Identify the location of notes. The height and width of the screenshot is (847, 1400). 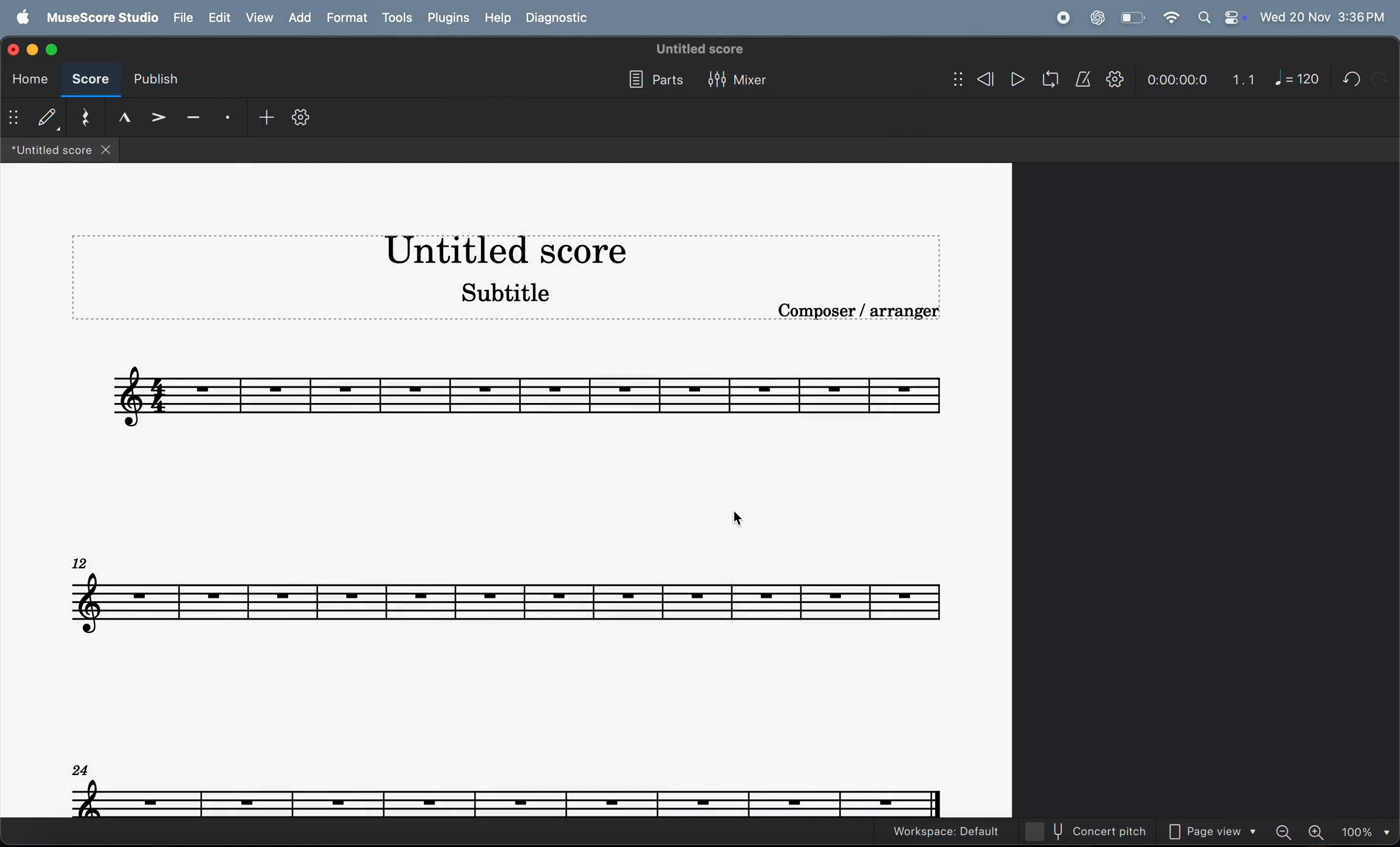
(509, 790).